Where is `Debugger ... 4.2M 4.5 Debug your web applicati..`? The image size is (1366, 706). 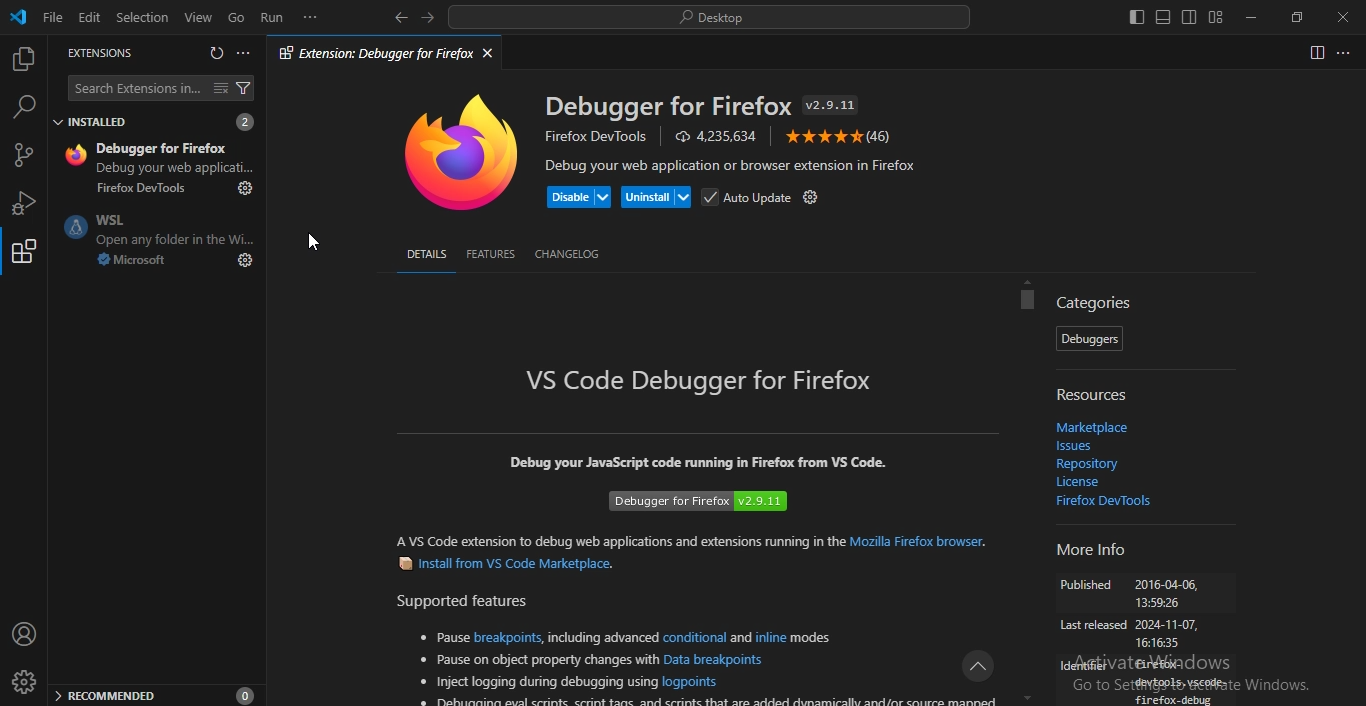
Debugger ... 4.2M 4.5 Debug your web applicati.. is located at coordinates (175, 157).